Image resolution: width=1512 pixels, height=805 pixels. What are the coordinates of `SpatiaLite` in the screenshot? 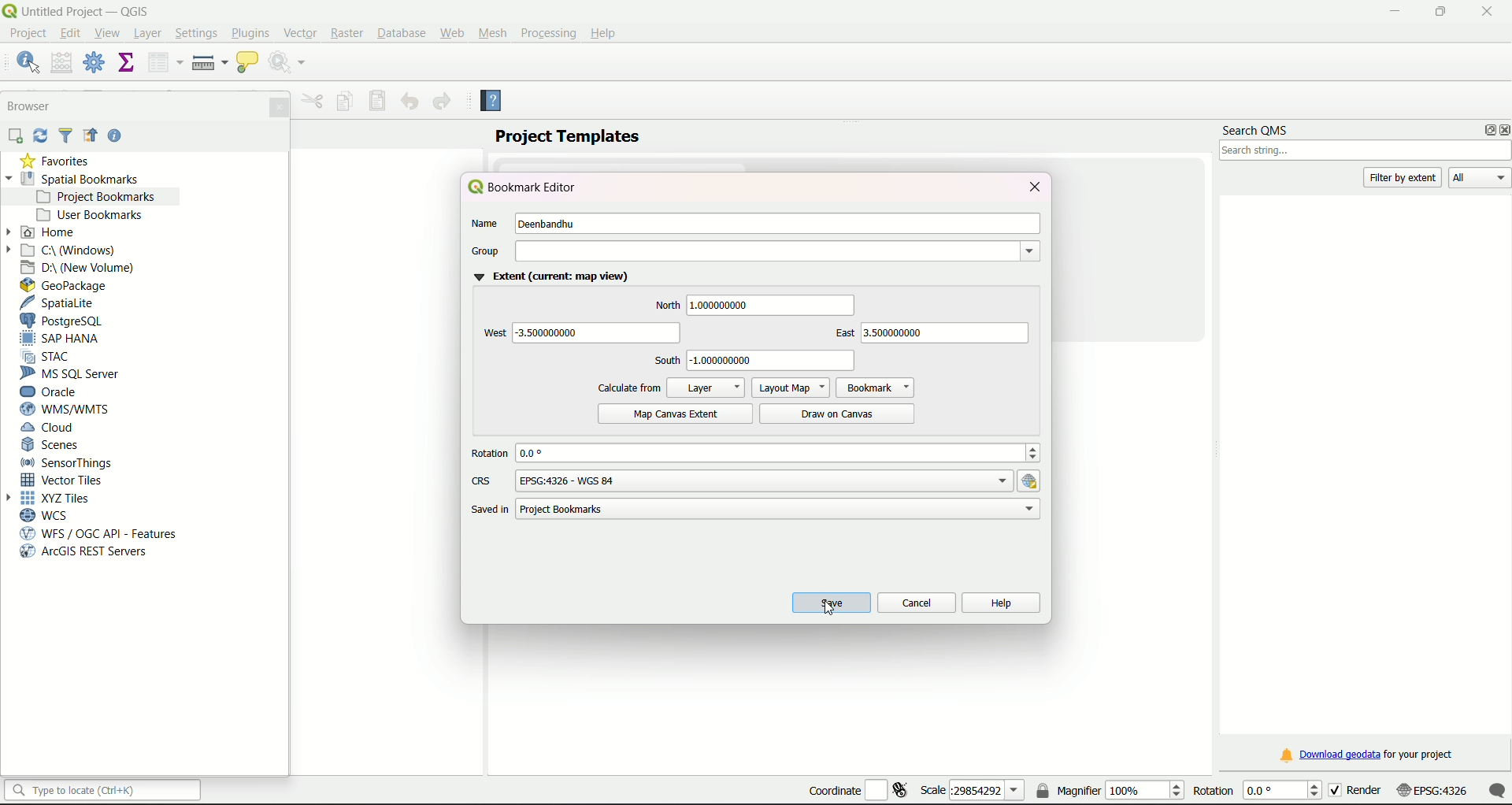 It's located at (61, 303).